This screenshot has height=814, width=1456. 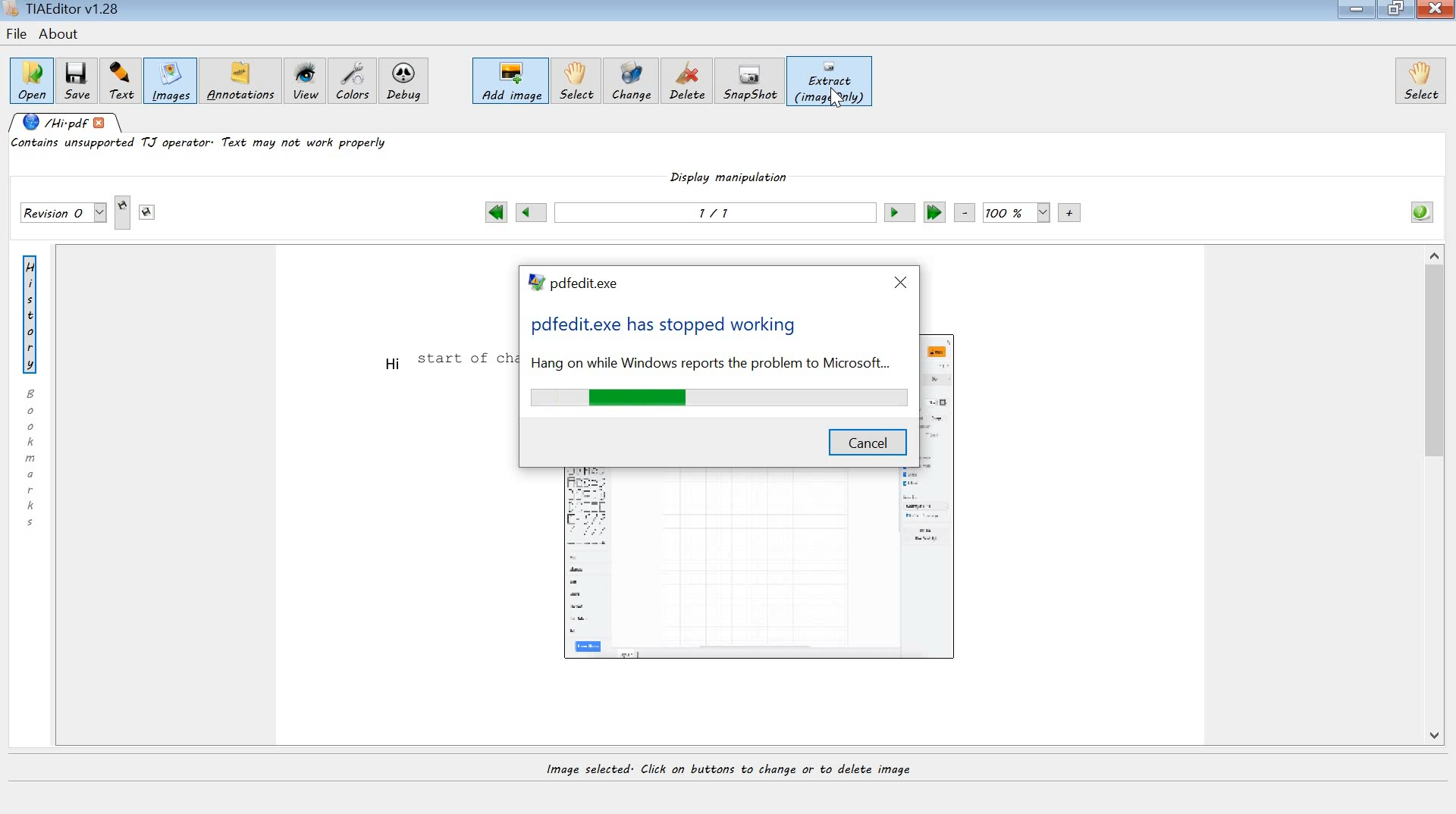 What do you see at coordinates (1358, 11) in the screenshot?
I see `minimize` at bounding box center [1358, 11].